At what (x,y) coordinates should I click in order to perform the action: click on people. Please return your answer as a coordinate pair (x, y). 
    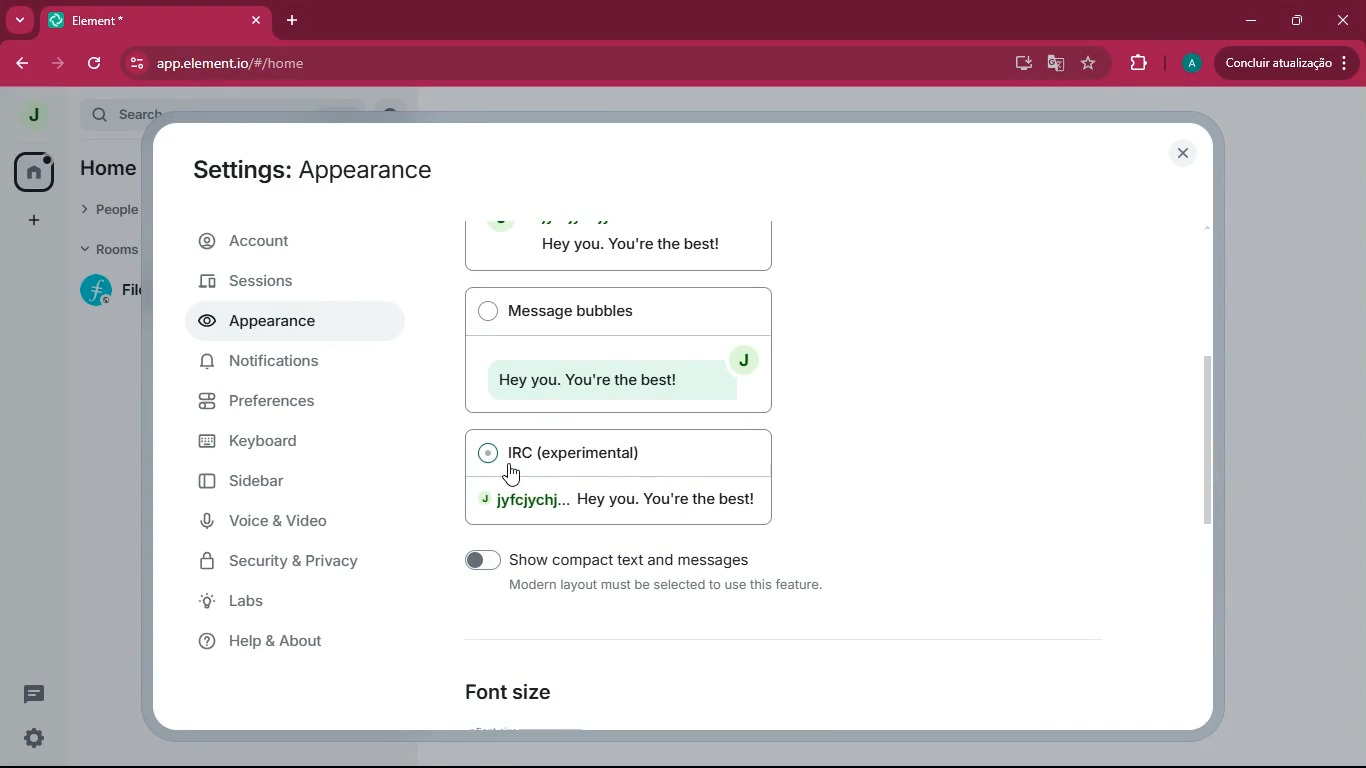
    Looking at the image, I should click on (112, 209).